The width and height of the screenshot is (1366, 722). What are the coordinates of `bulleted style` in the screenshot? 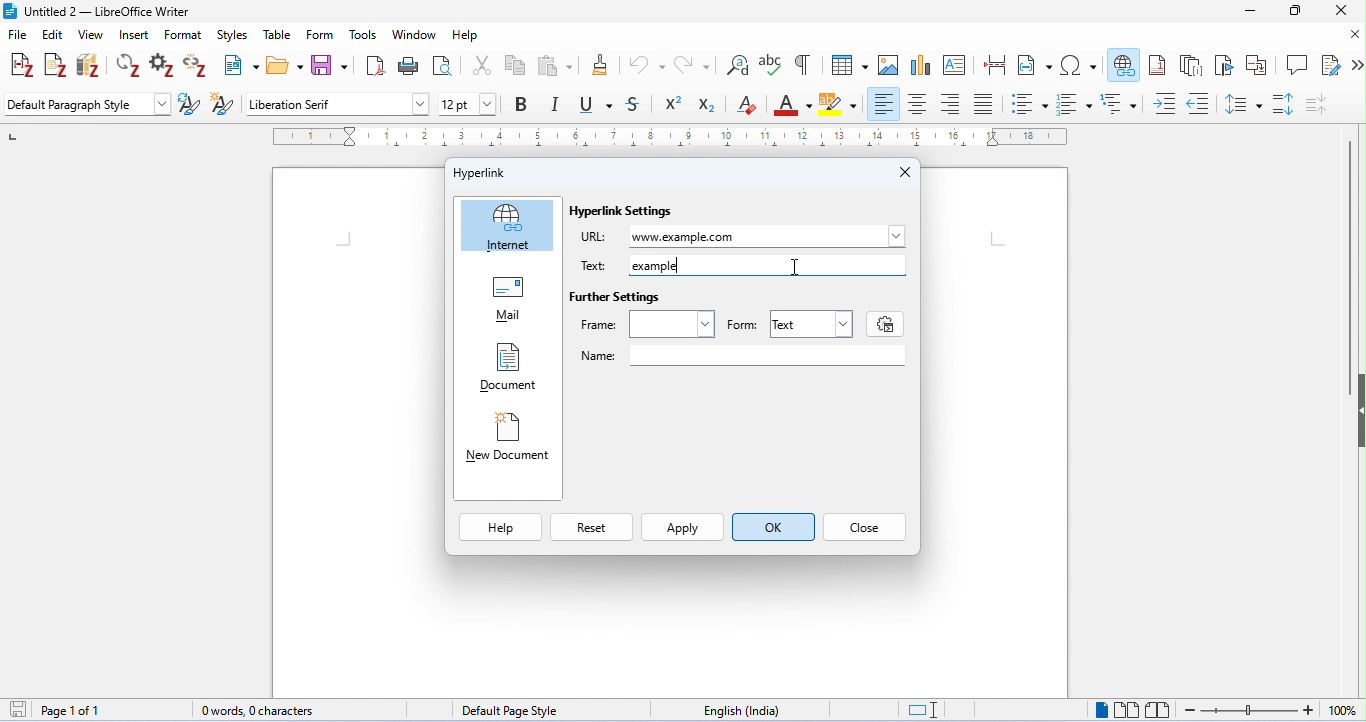 It's located at (1031, 105).